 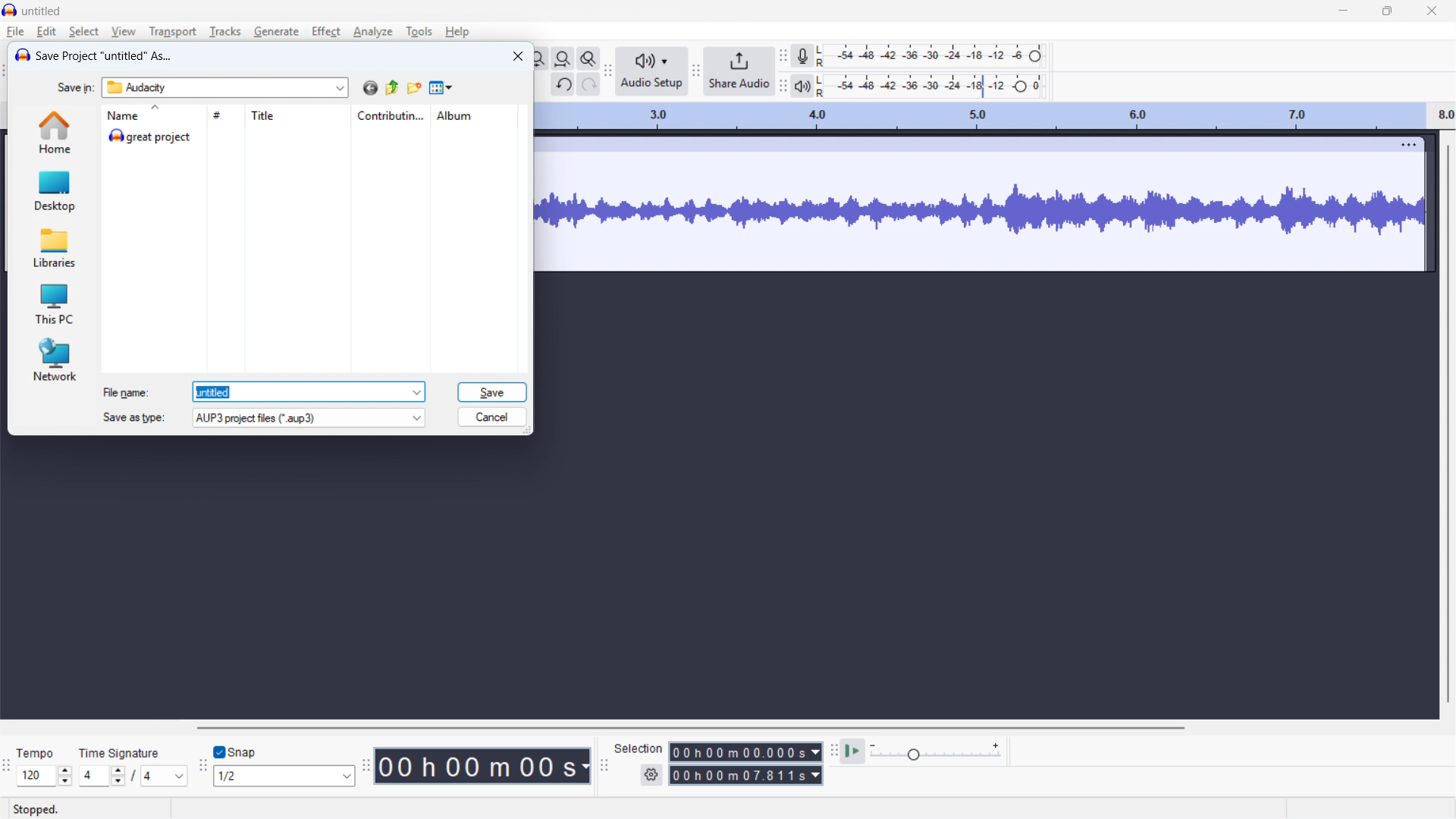 I want to click on Selection start time, so click(x=745, y=752).